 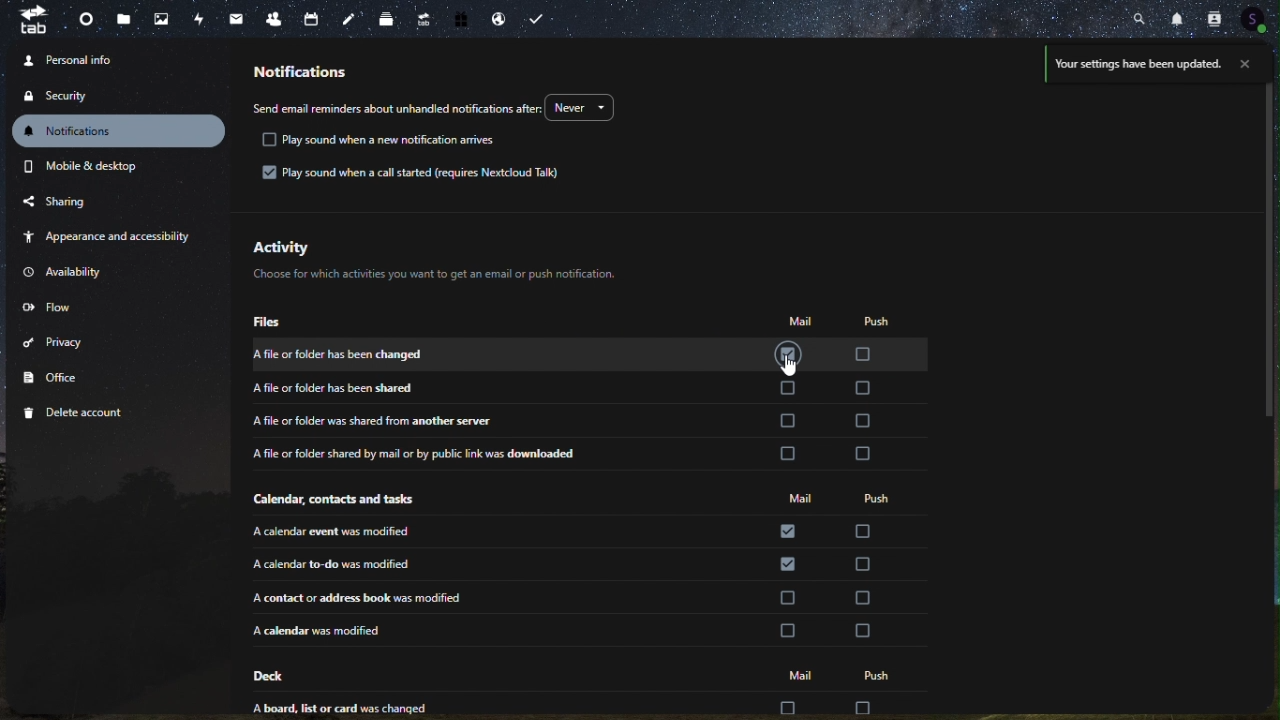 I want to click on send email reminders about unhandled notifications after., so click(x=397, y=110).